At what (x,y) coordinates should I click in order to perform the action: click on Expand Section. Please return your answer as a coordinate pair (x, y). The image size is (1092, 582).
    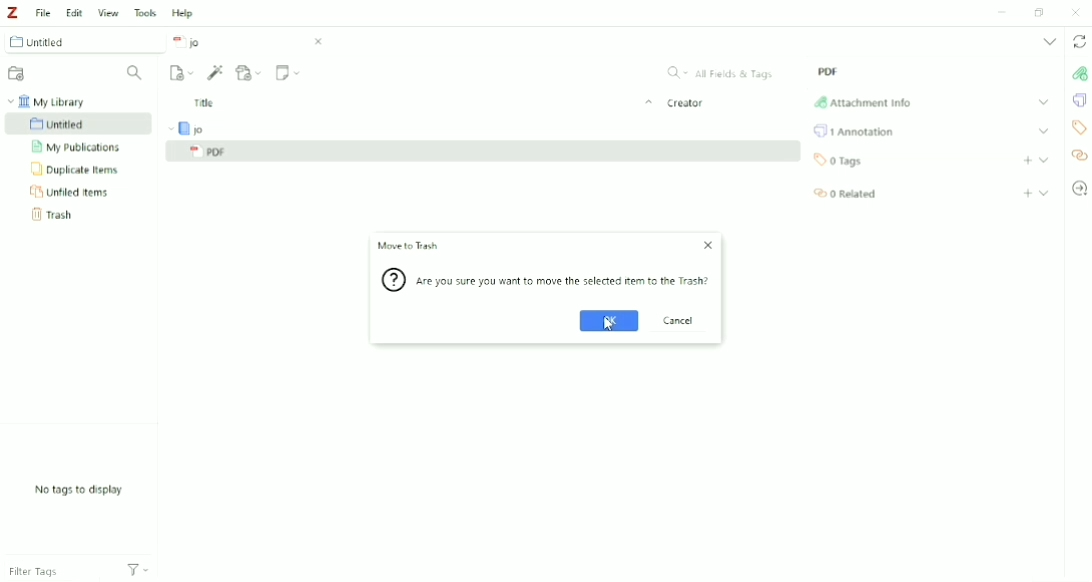
    Looking at the image, I should click on (1042, 102).